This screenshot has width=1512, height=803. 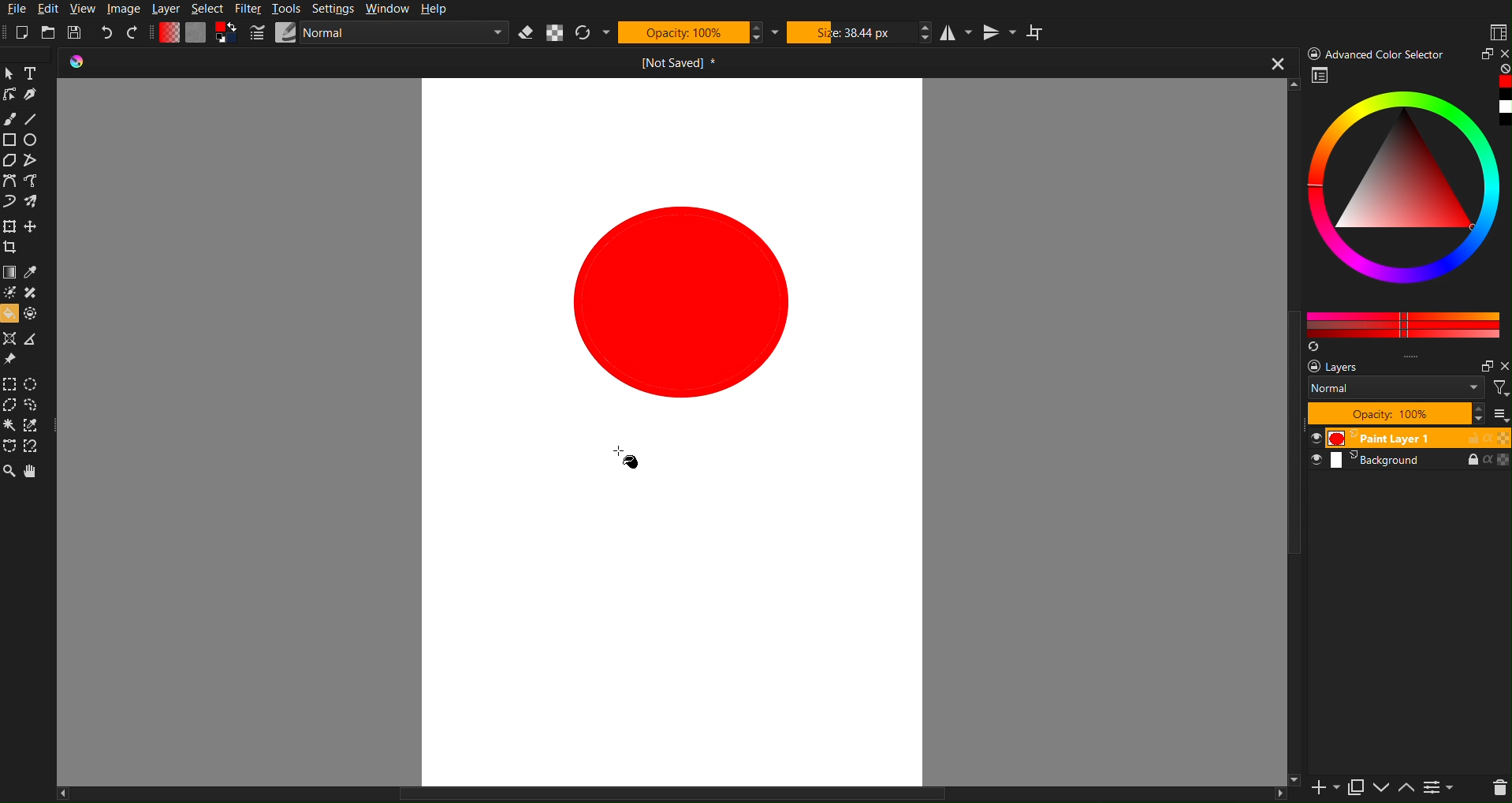 What do you see at coordinates (9, 447) in the screenshot?
I see `Bezier Curve` at bounding box center [9, 447].